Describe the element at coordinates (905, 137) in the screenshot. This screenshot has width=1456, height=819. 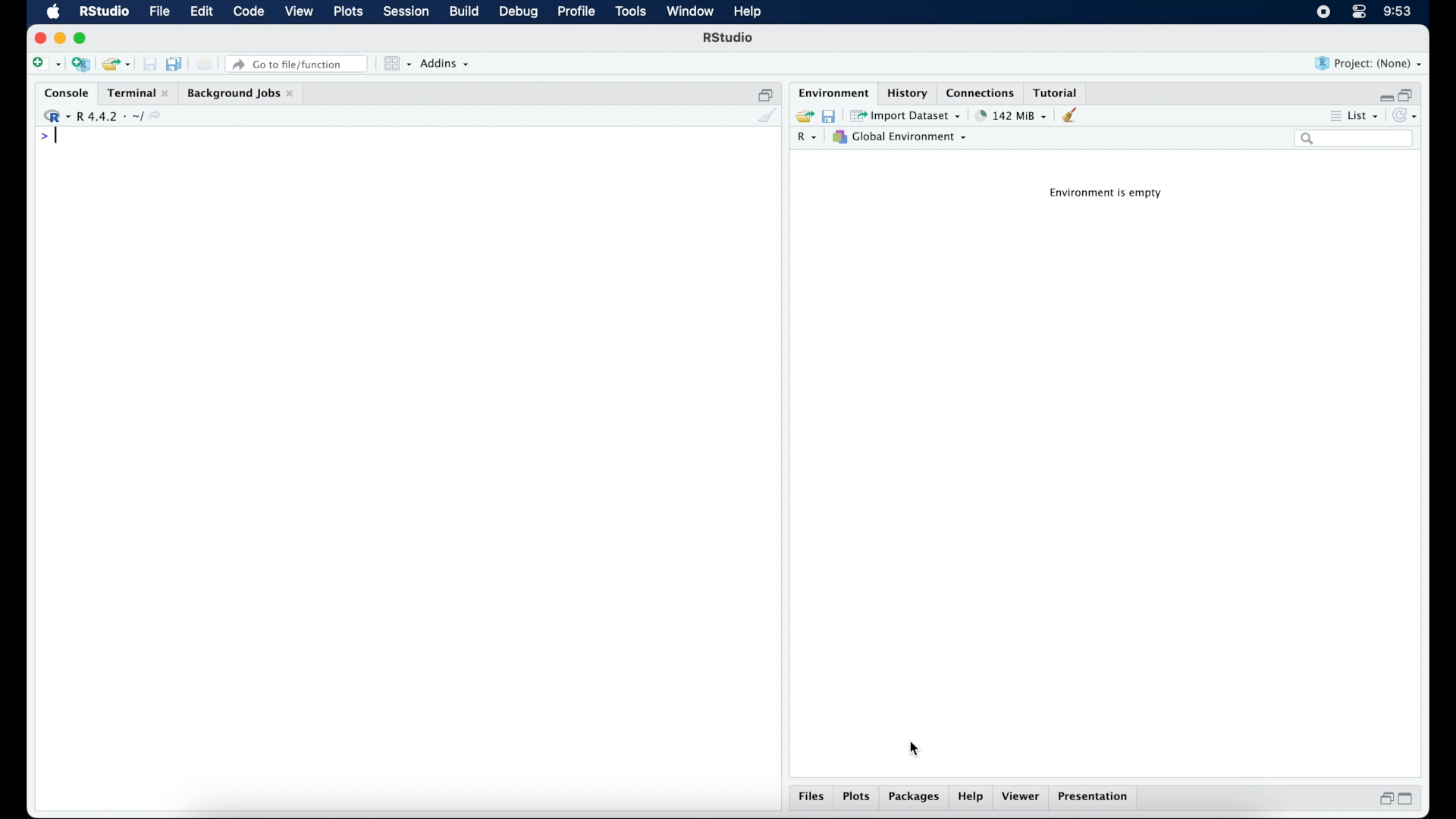
I see `global environment` at that location.